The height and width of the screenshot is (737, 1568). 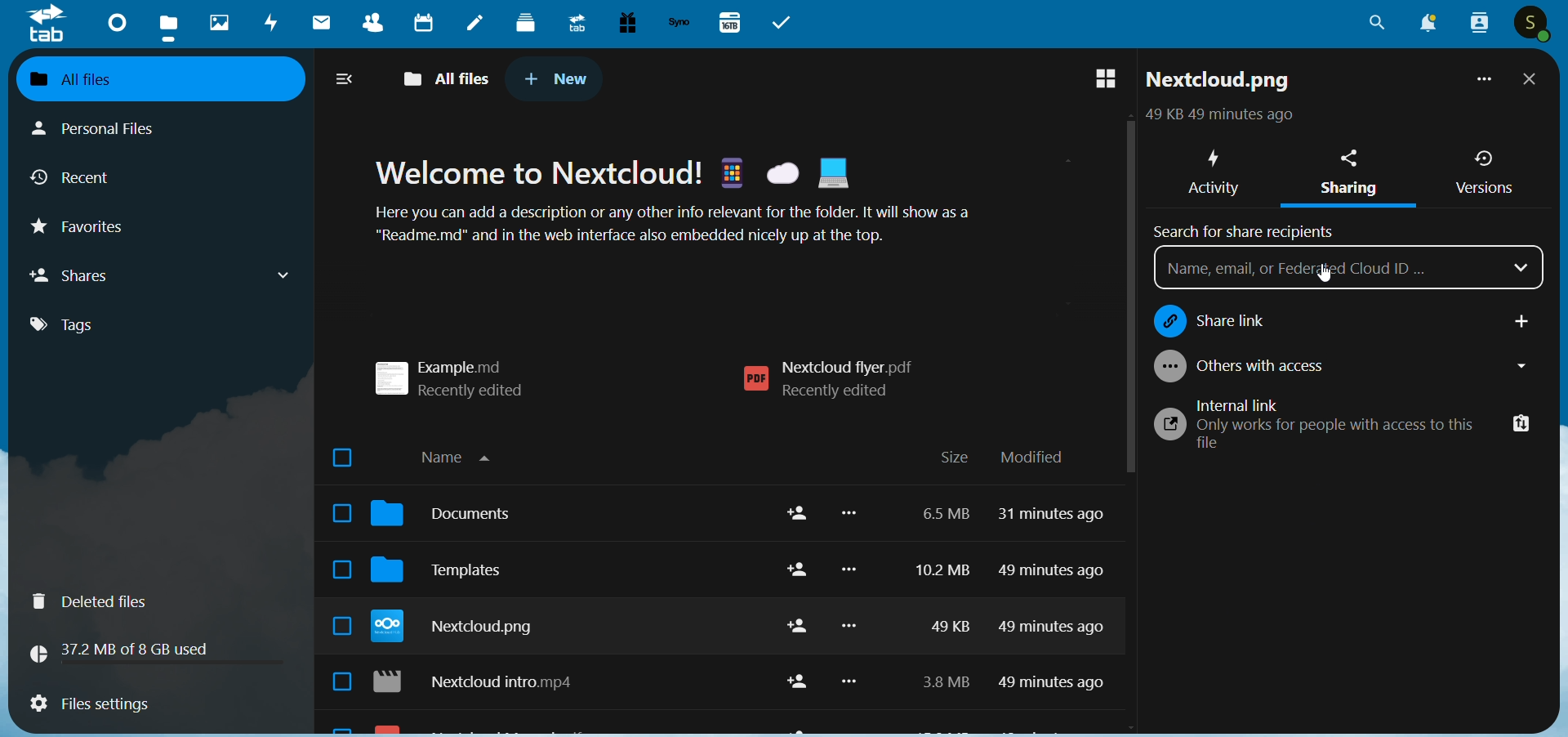 What do you see at coordinates (1216, 117) in the screenshot?
I see `status` at bounding box center [1216, 117].